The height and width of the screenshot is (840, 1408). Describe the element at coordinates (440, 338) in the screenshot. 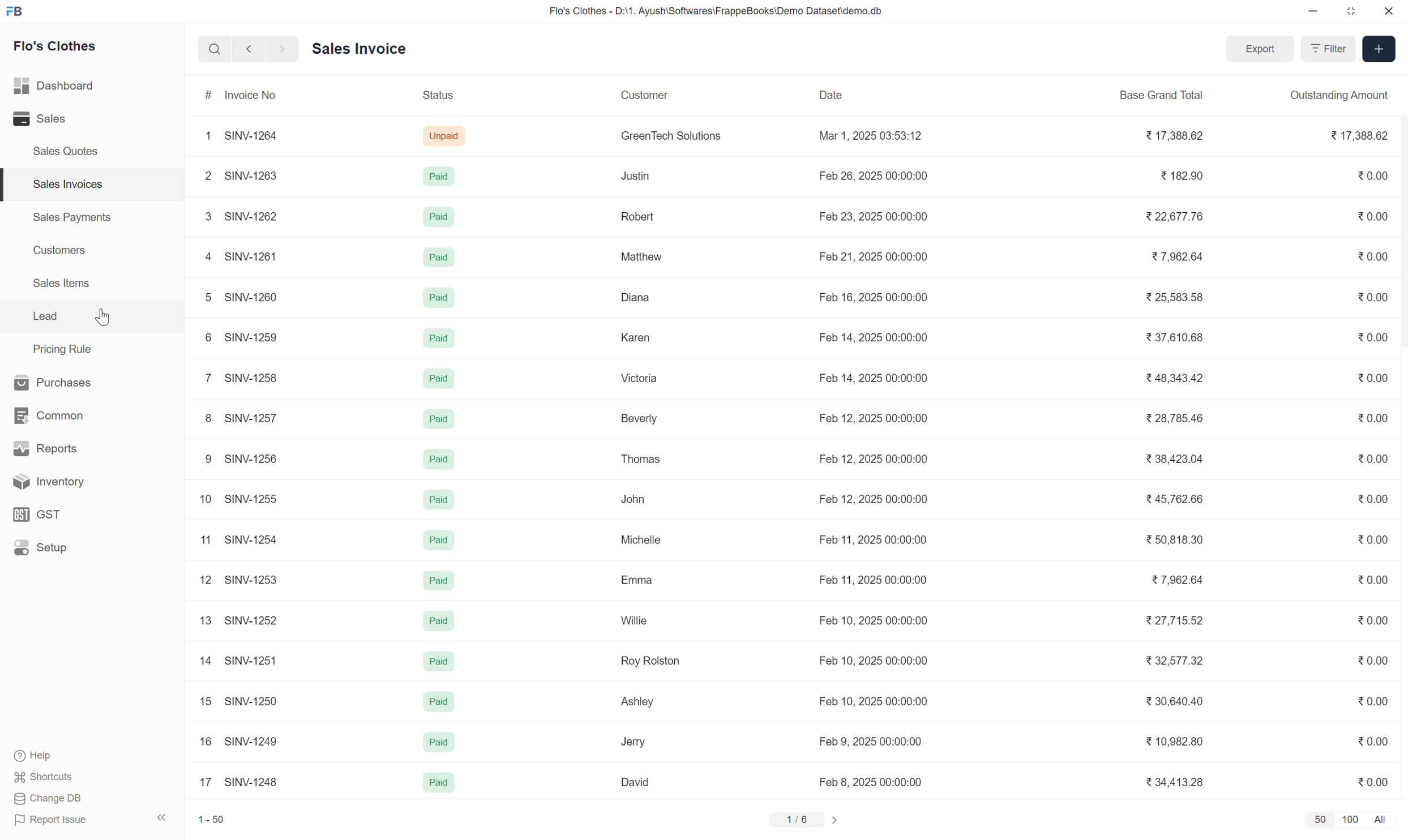

I see `Paid` at that location.